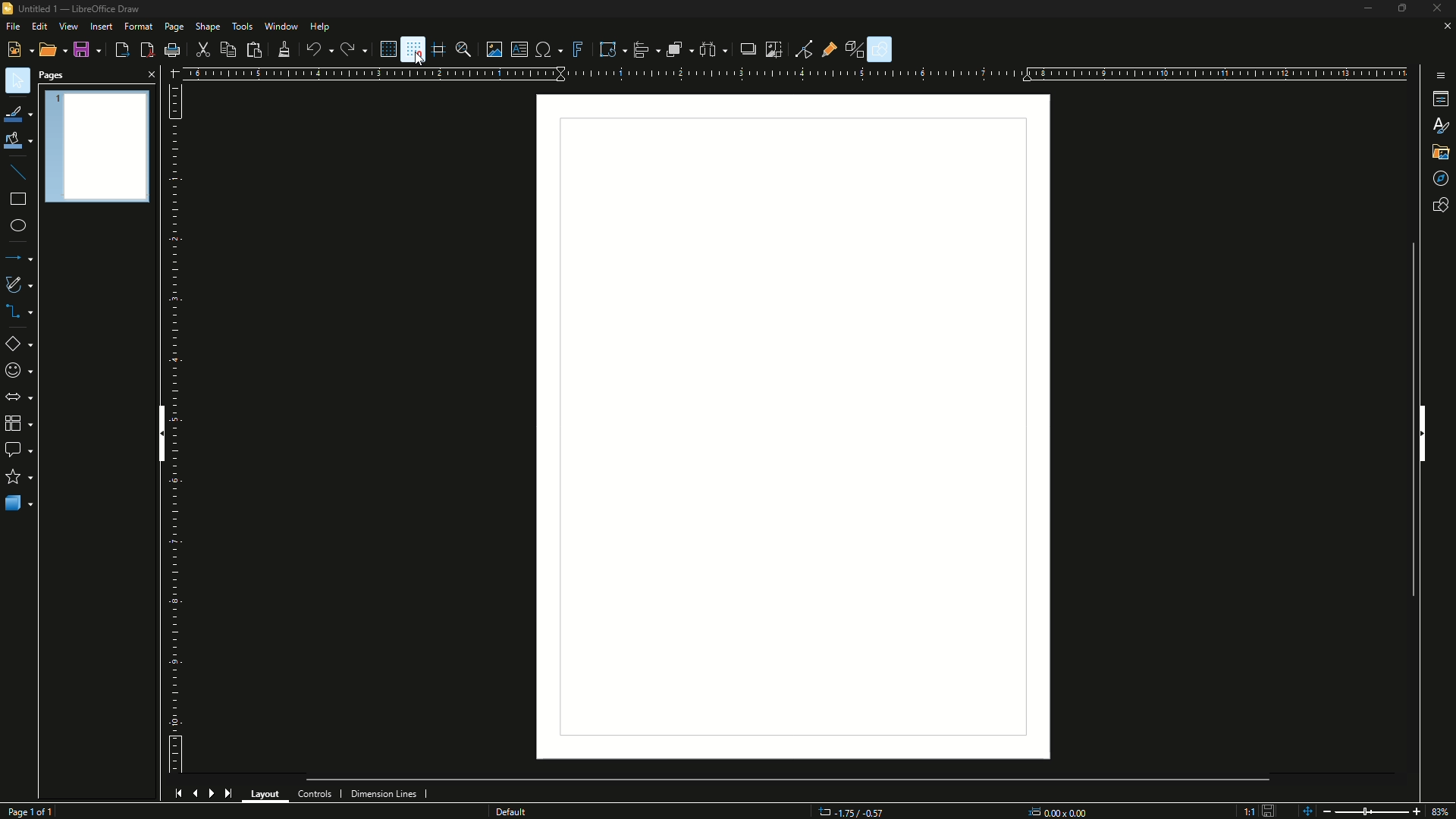 This screenshot has height=819, width=1456. Describe the element at coordinates (517, 49) in the screenshot. I see `Insert text box` at that location.